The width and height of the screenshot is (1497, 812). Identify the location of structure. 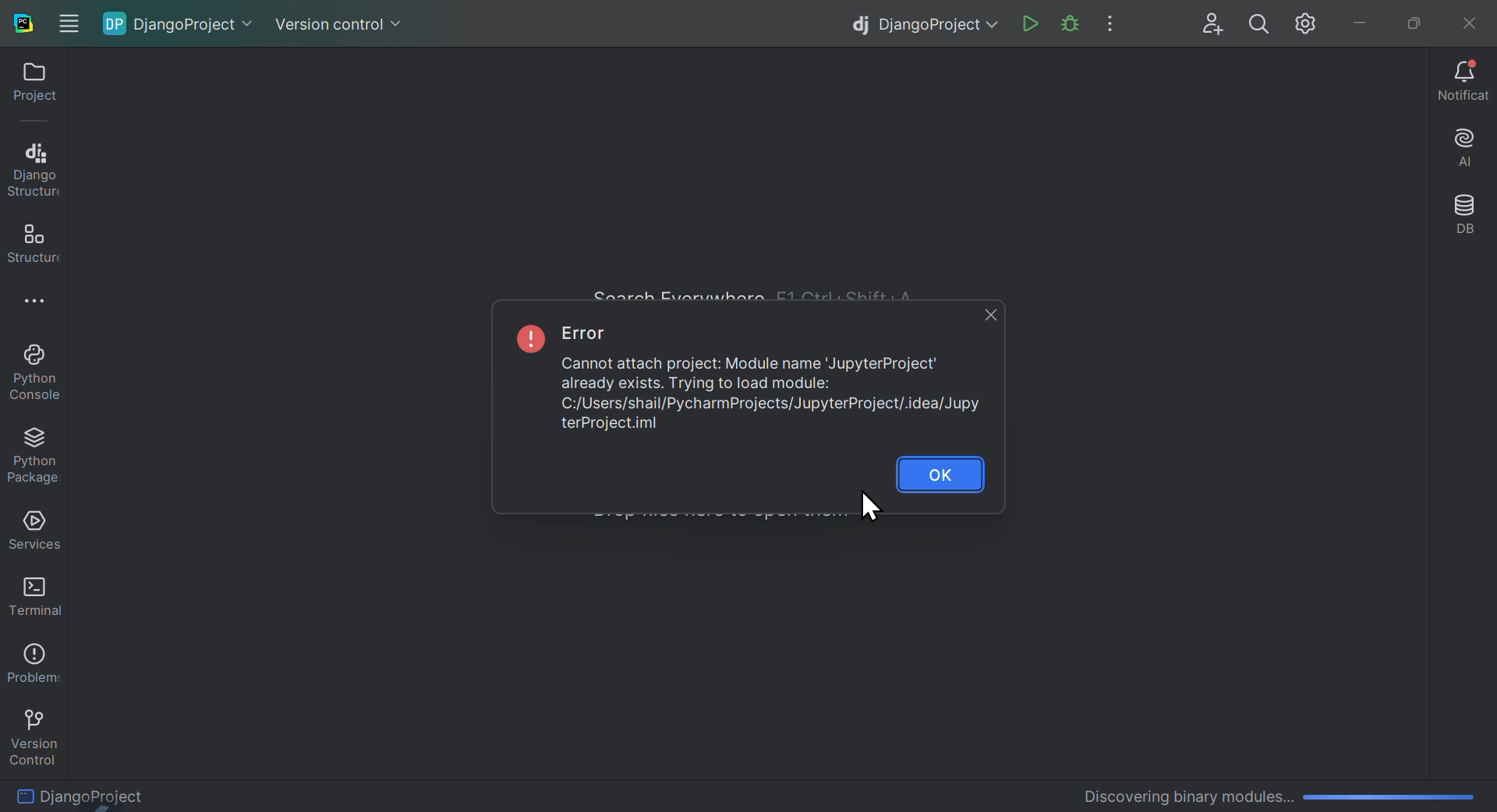
(30, 243).